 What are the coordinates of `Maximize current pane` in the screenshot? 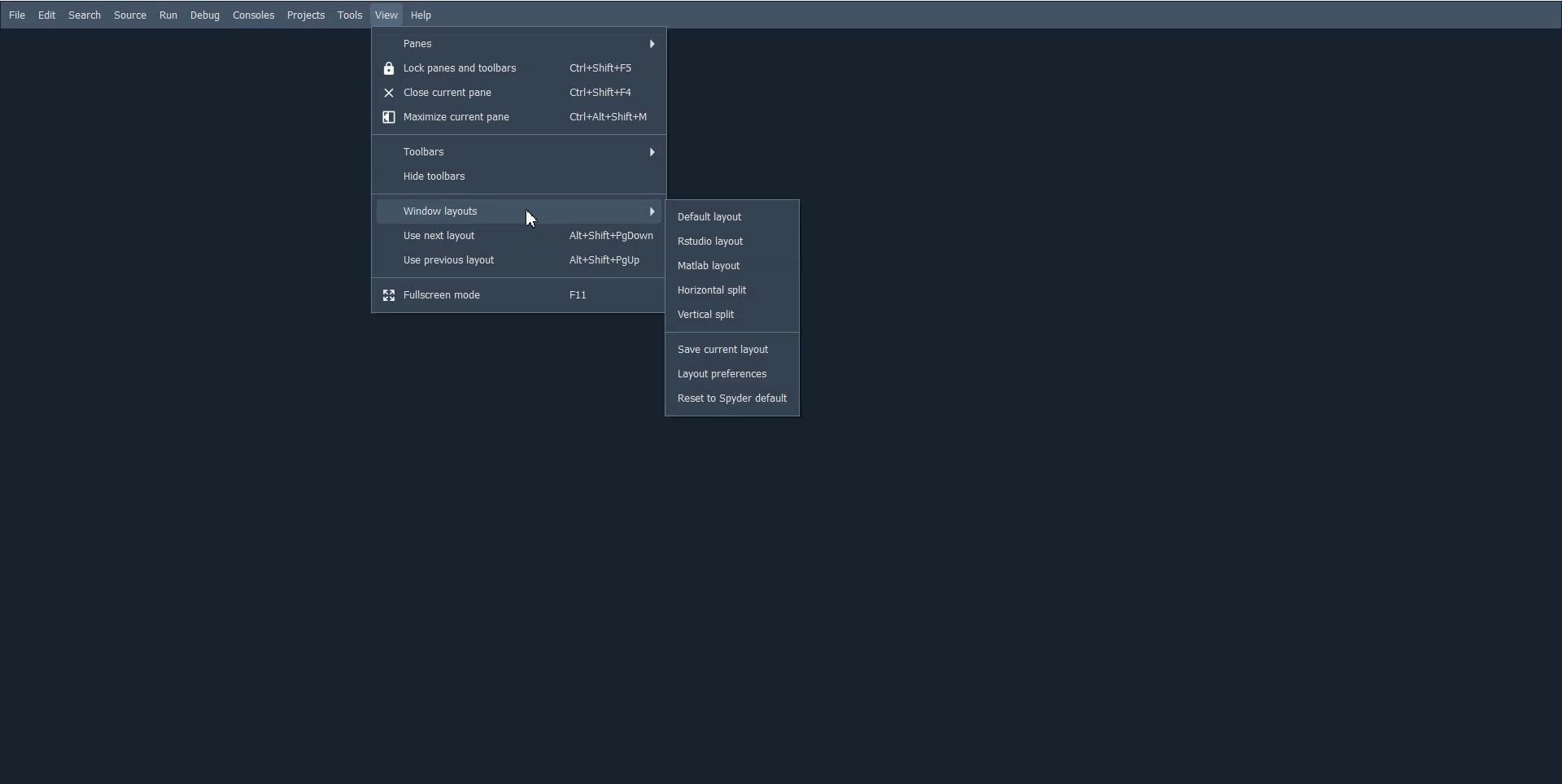 It's located at (519, 118).